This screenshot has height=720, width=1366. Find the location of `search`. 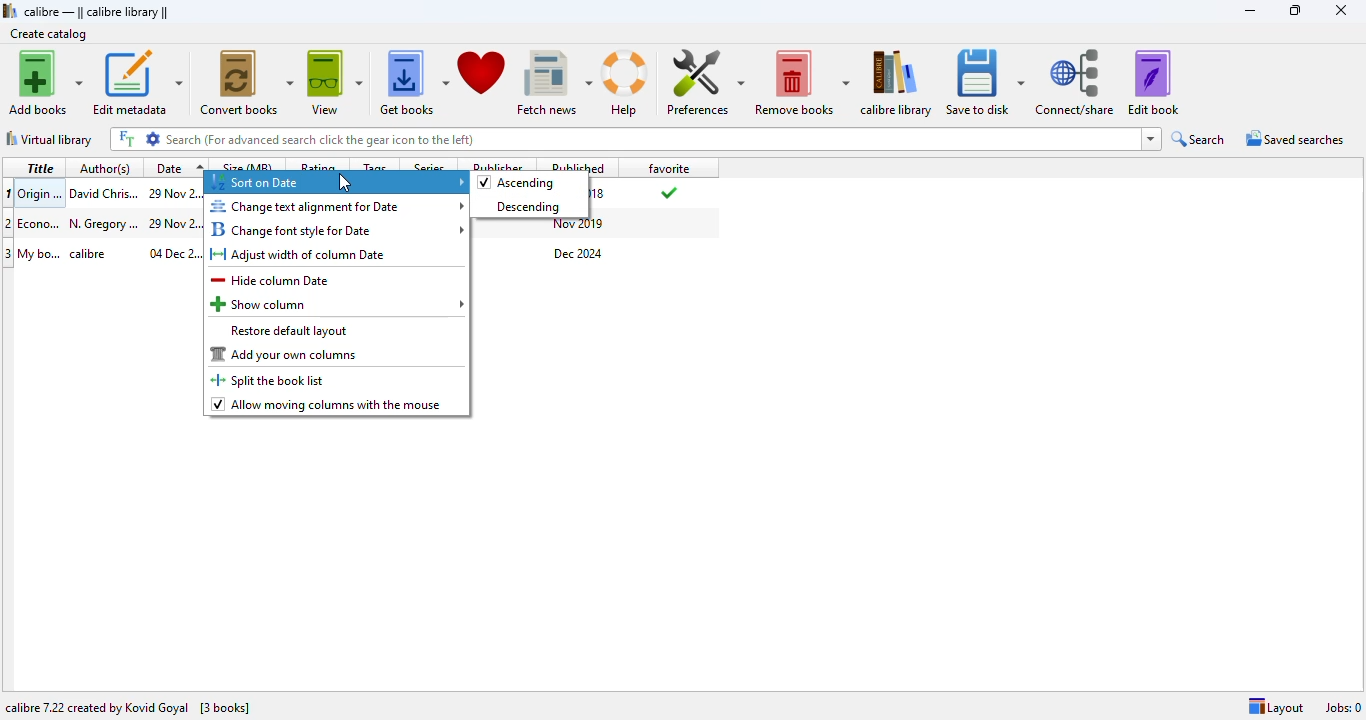

search is located at coordinates (652, 139).